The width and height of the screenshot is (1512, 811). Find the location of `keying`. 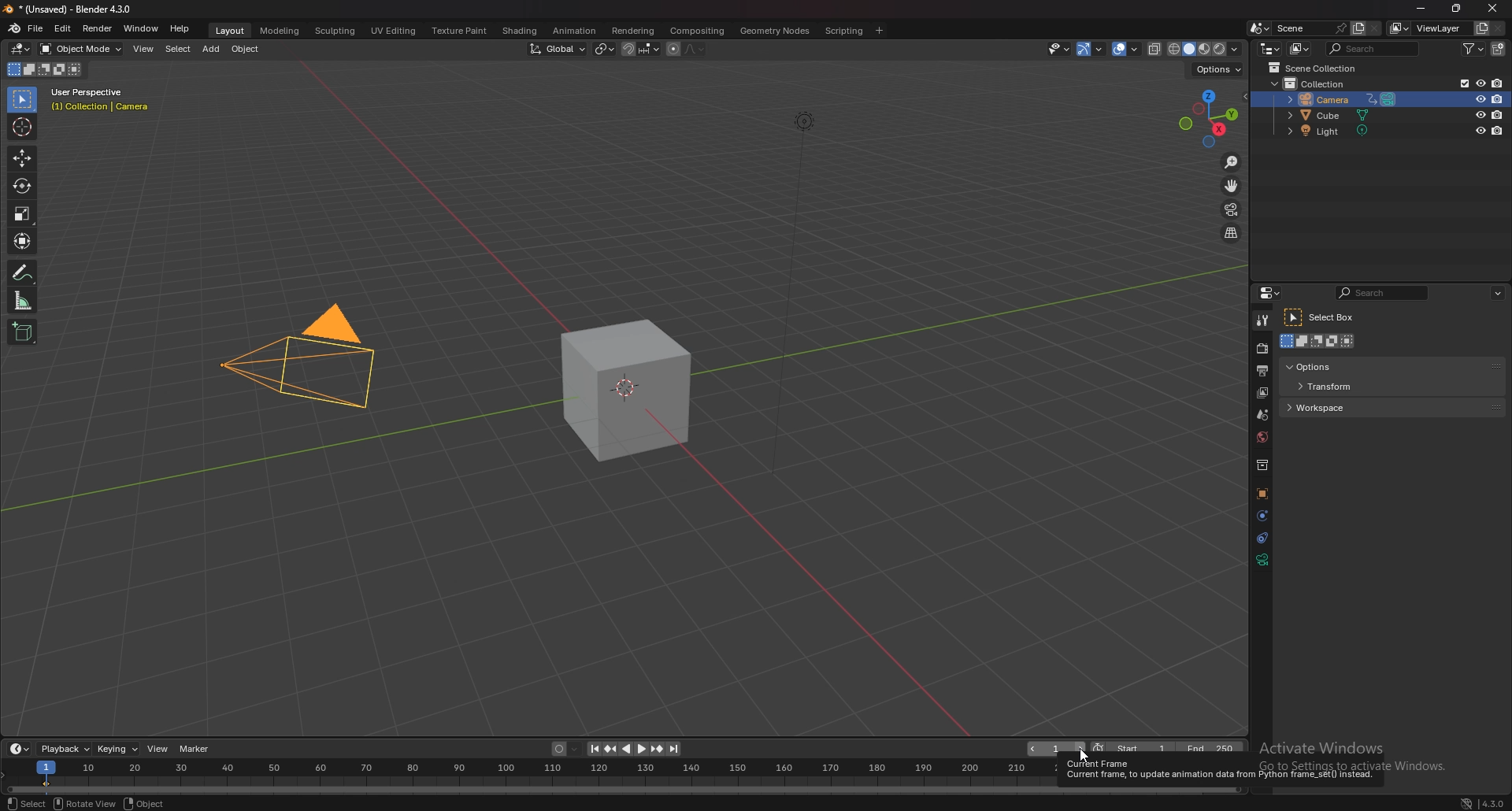

keying is located at coordinates (118, 749).